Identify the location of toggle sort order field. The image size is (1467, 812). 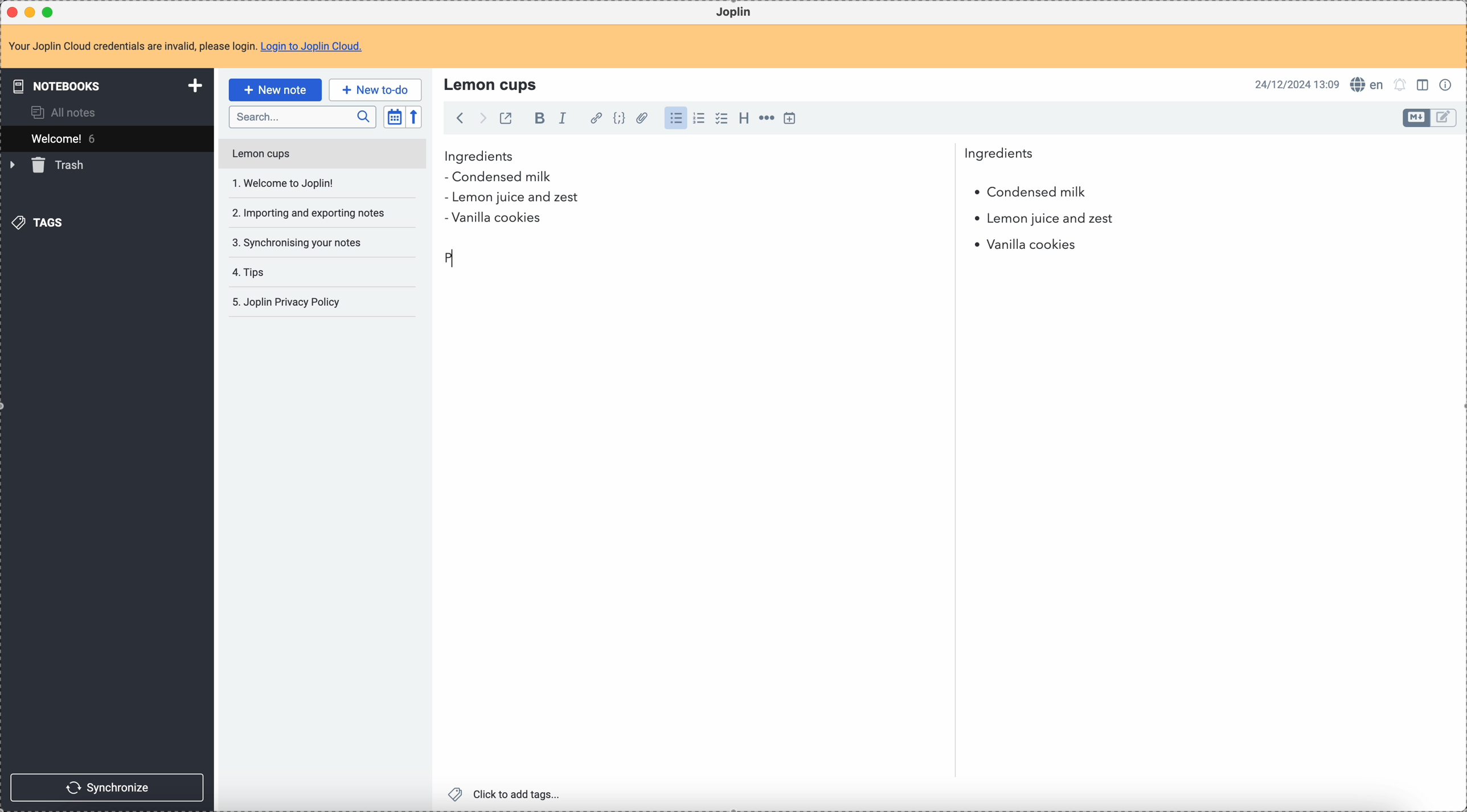
(394, 117).